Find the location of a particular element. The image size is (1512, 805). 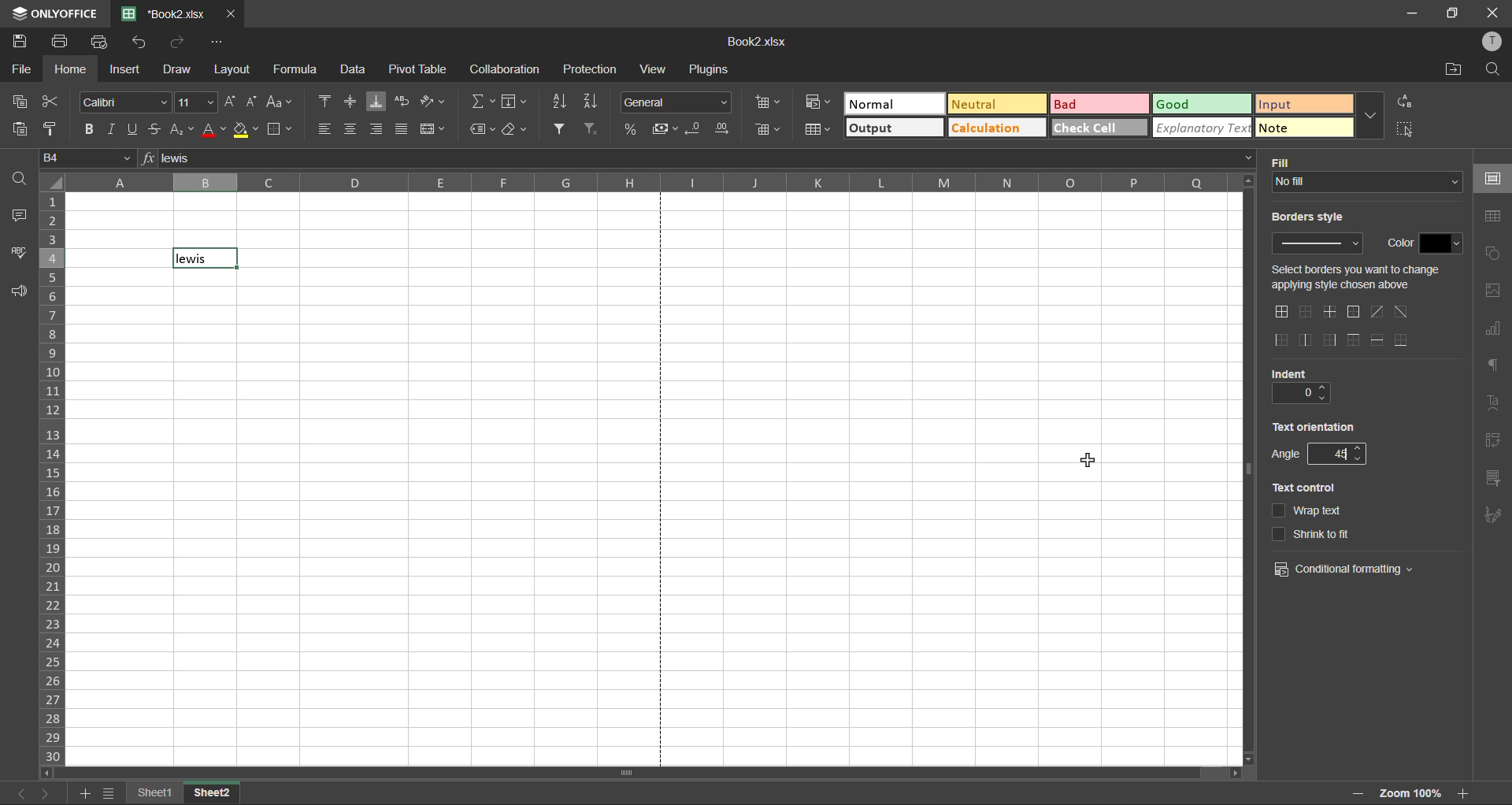

format as table is located at coordinates (813, 129).